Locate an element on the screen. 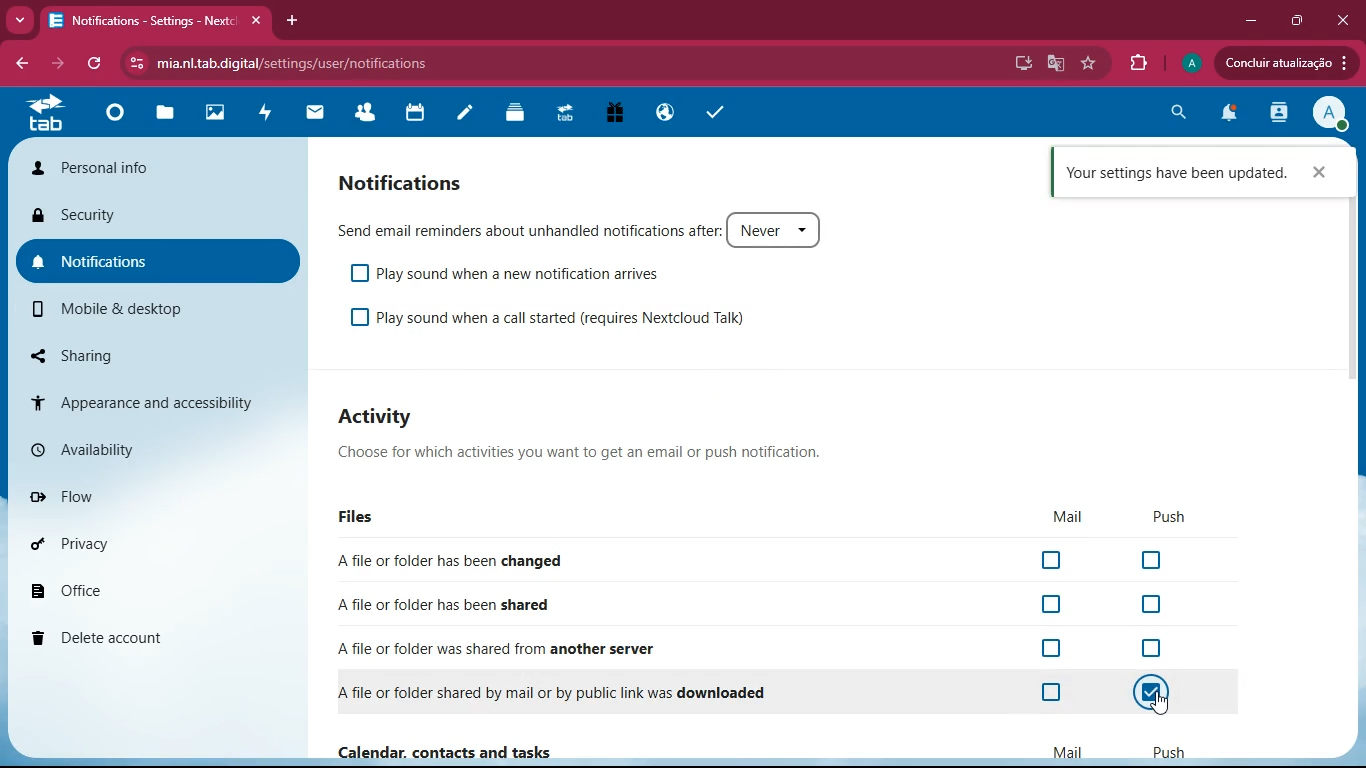 The width and height of the screenshot is (1366, 768). sharing is located at coordinates (80, 349).